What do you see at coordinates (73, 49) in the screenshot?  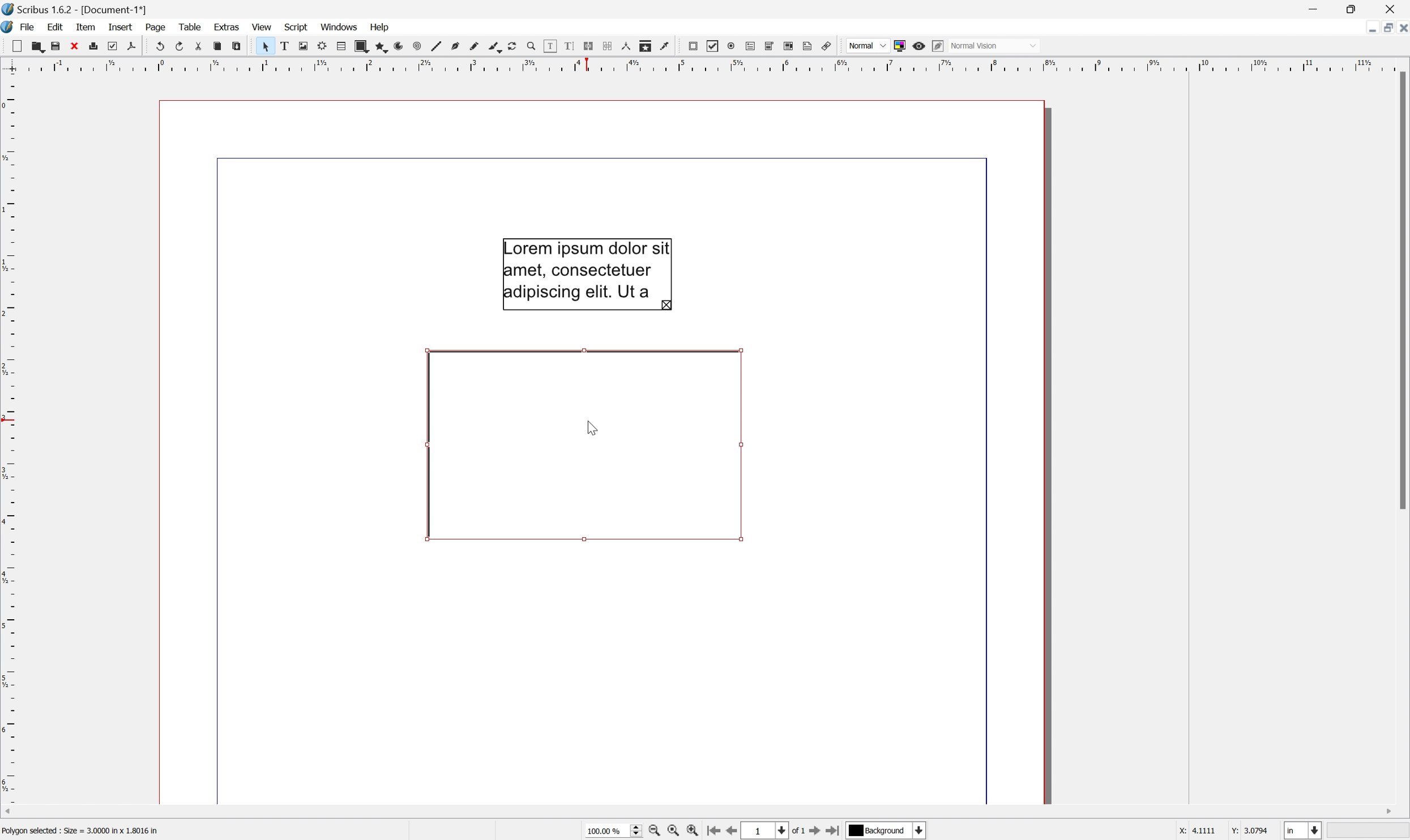 I see `Close` at bounding box center [73, 49].